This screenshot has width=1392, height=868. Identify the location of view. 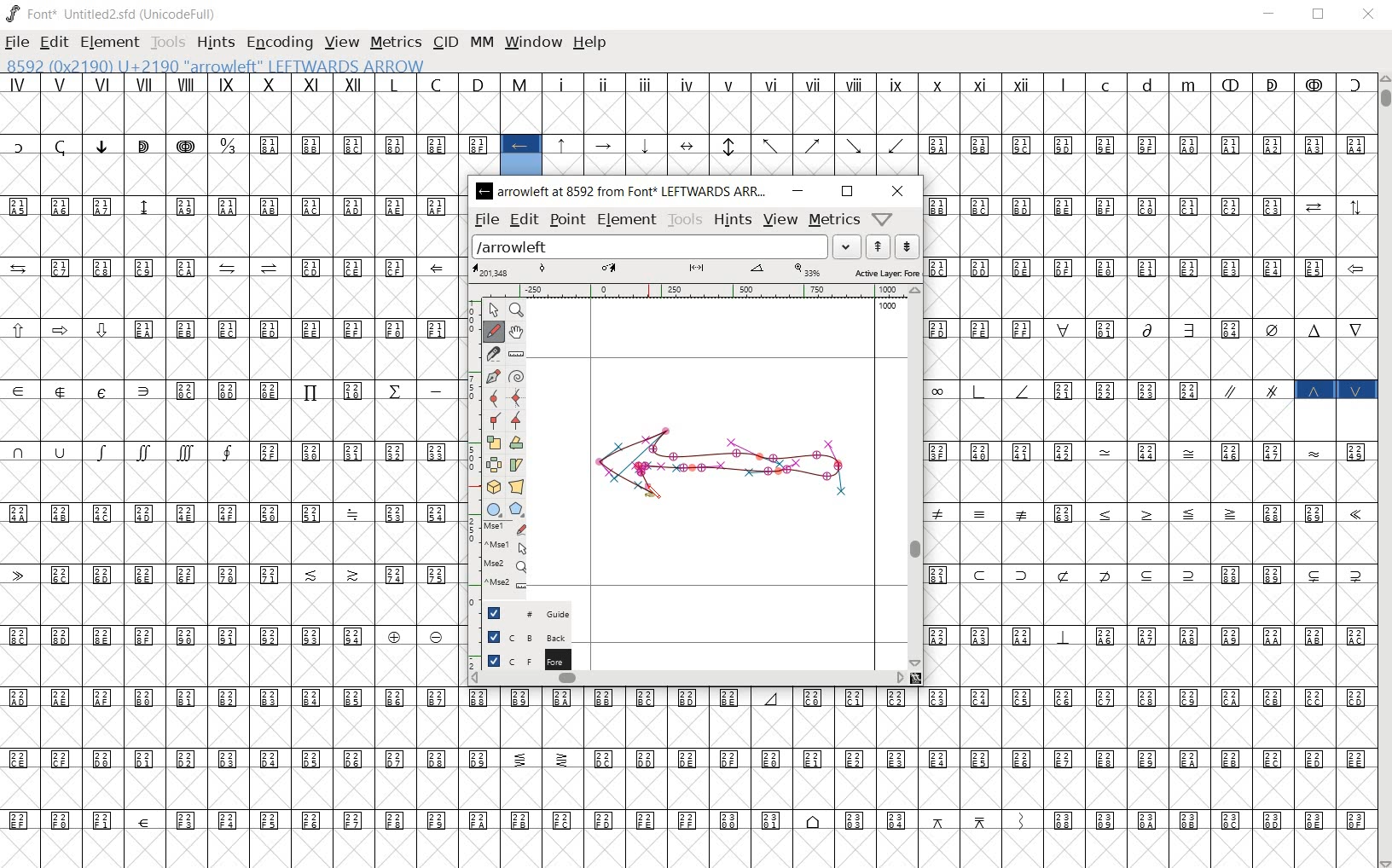
(782, 220).